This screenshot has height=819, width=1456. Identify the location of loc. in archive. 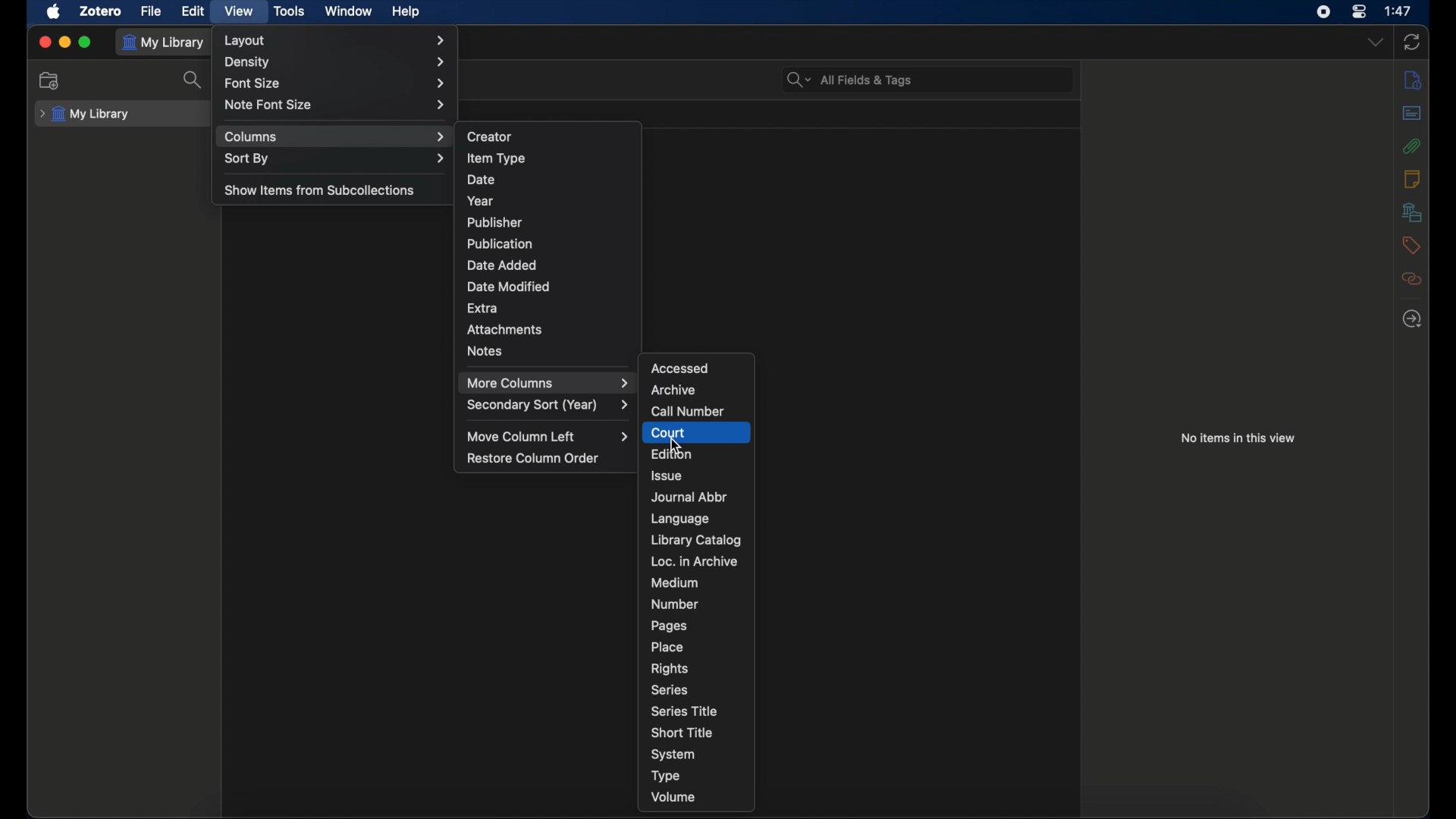
(693, 561).